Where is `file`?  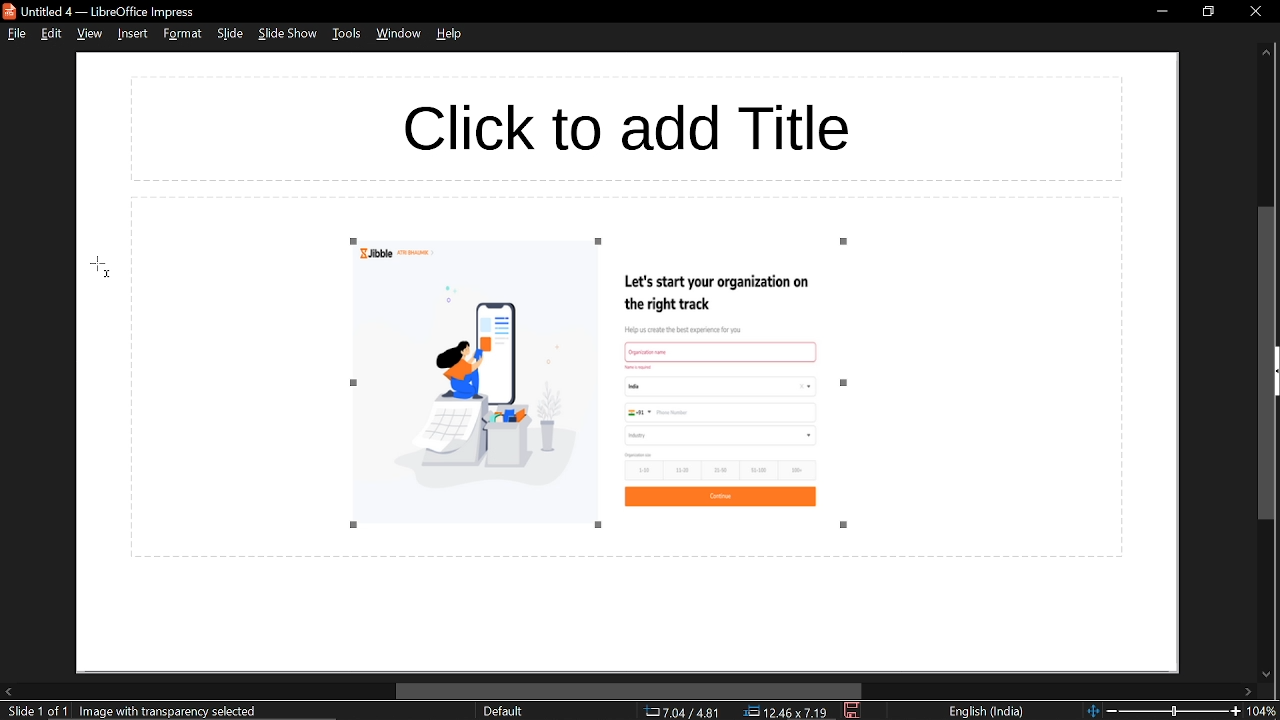
file is located at coordinates (16, 35).